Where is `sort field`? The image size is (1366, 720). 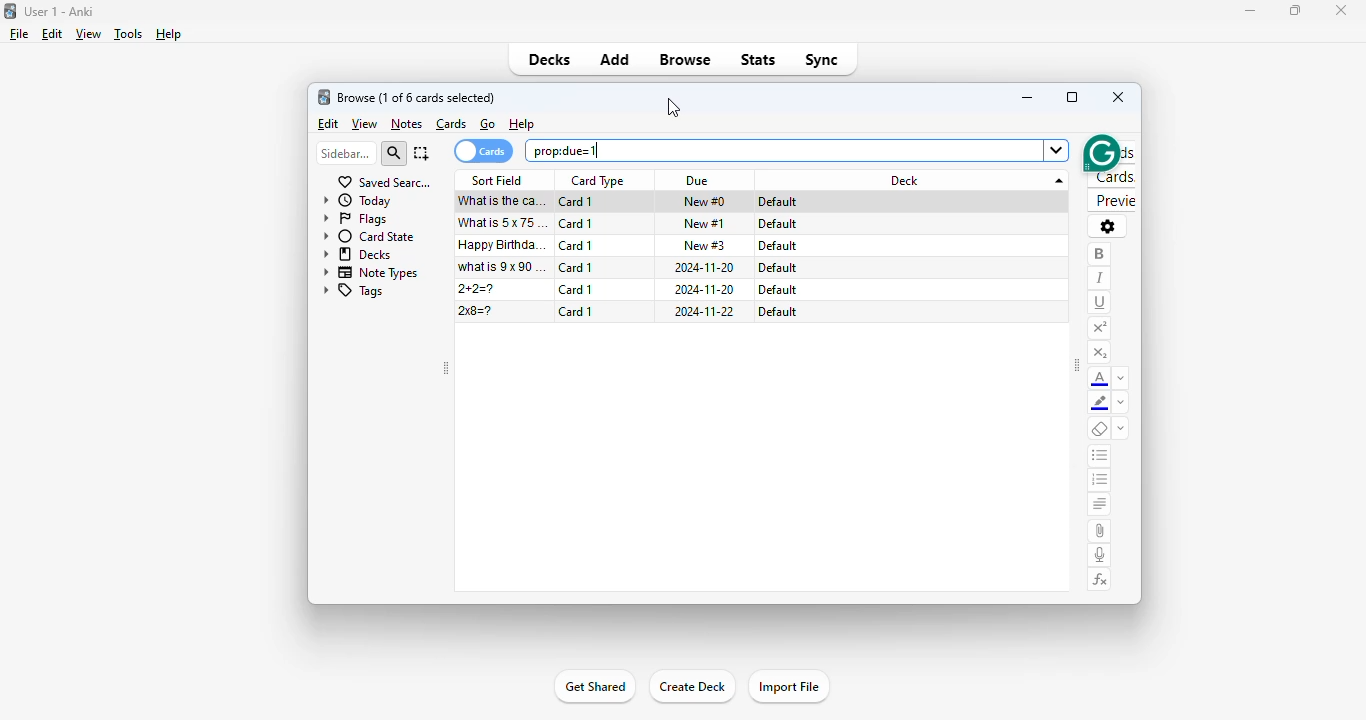
sort field is located at coordinates (499, 180).